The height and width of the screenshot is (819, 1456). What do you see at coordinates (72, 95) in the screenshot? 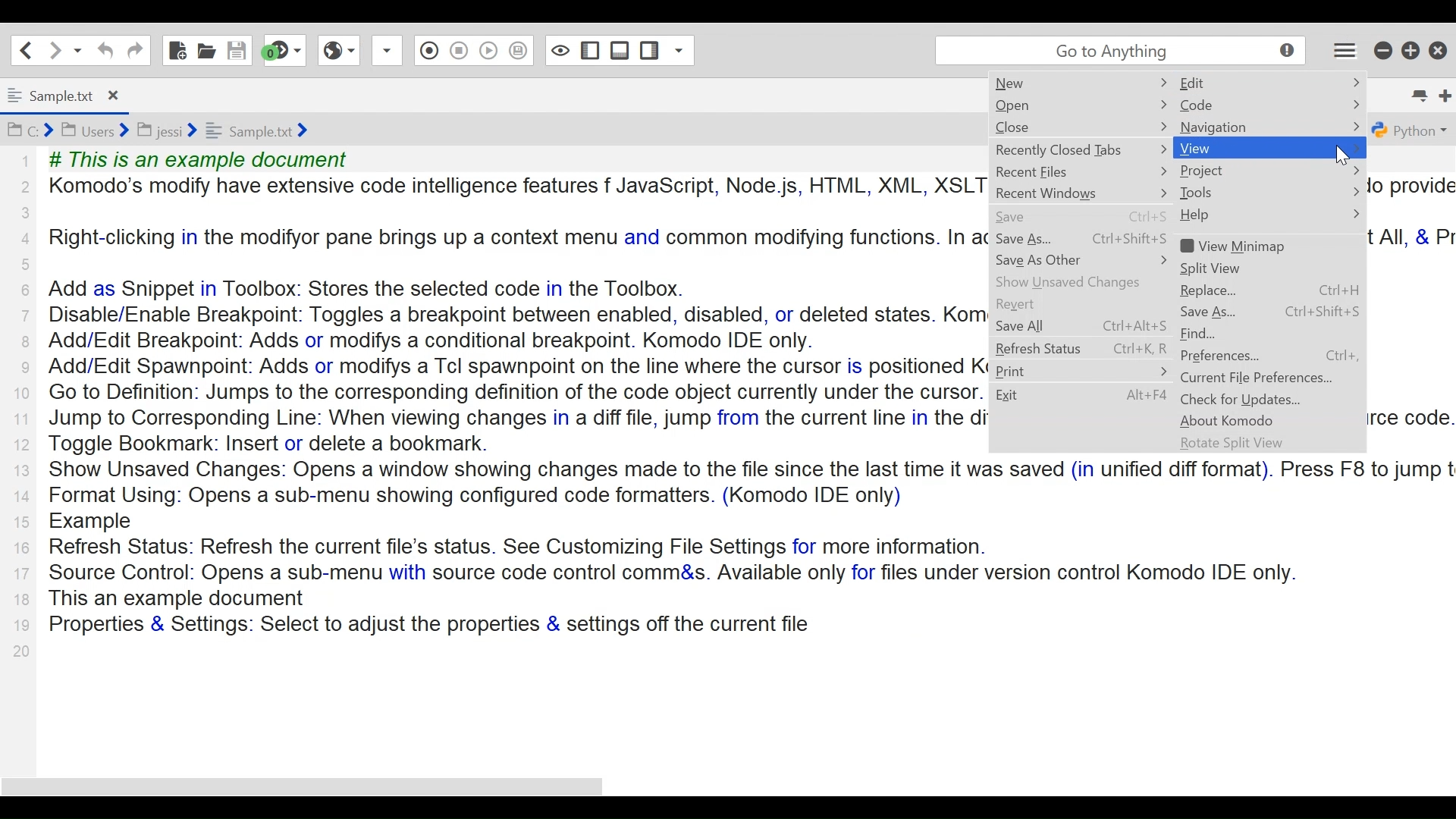
I see `Sample.txt` at bounding box center [72, 95].